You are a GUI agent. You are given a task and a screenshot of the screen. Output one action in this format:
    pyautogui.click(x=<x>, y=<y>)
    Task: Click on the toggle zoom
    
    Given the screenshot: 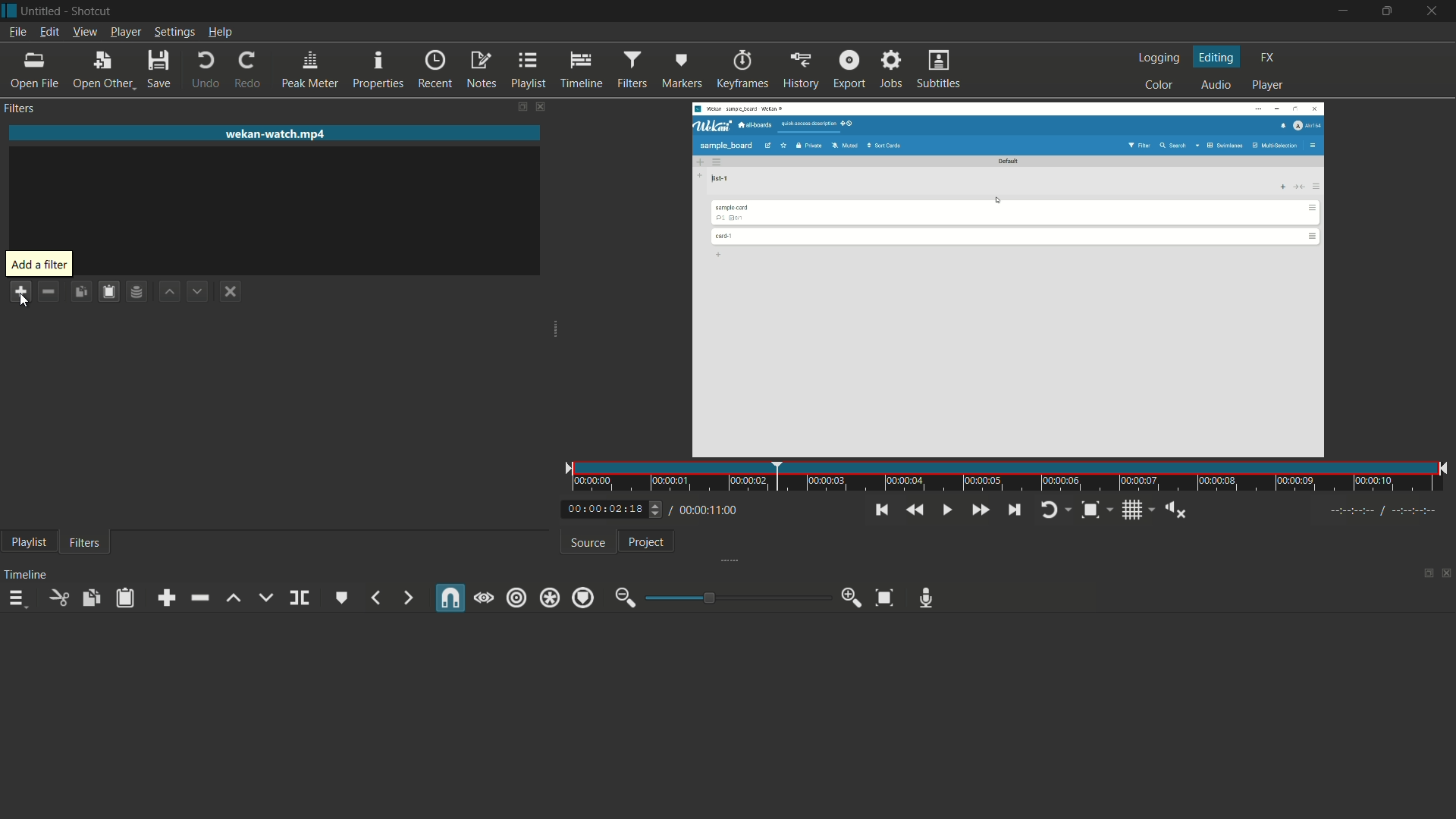 What is the action you would take?
    pyautogui.click(x=1090, y=511)
    